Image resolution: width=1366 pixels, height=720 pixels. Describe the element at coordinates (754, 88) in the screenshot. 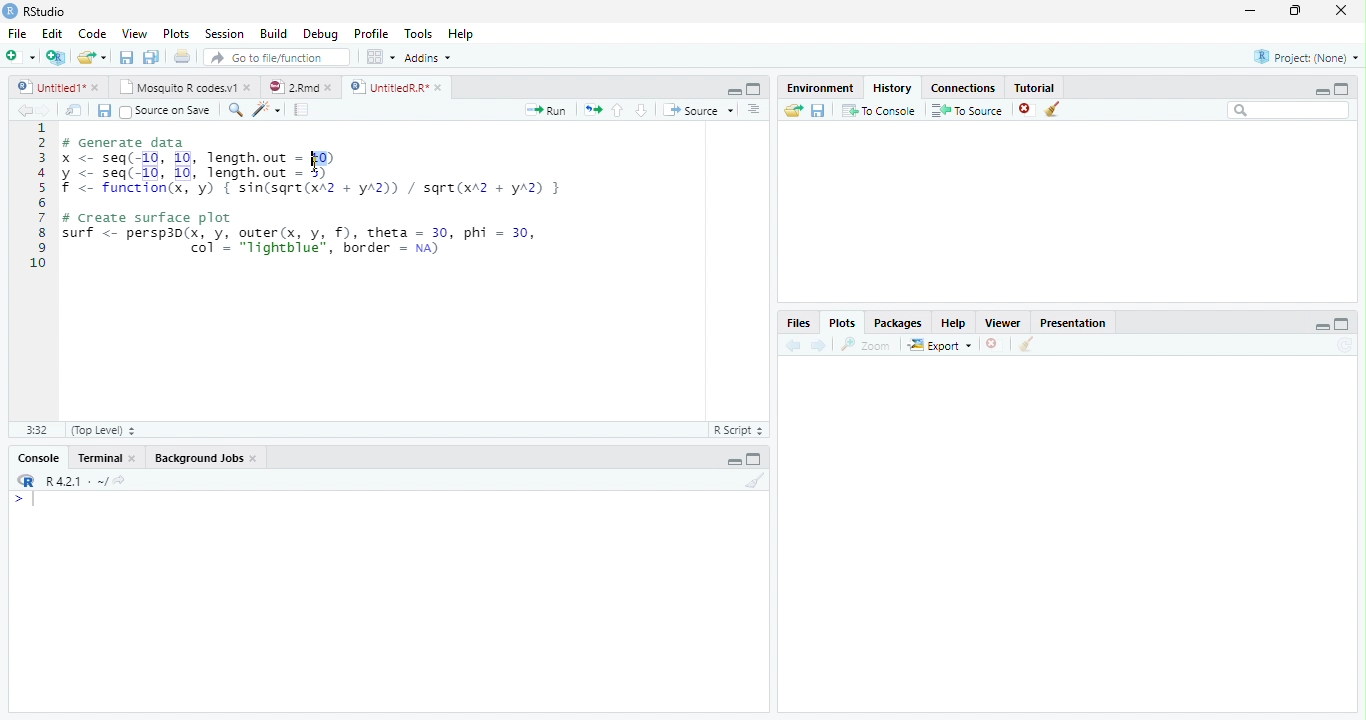

I see `Maximixe` at that location.